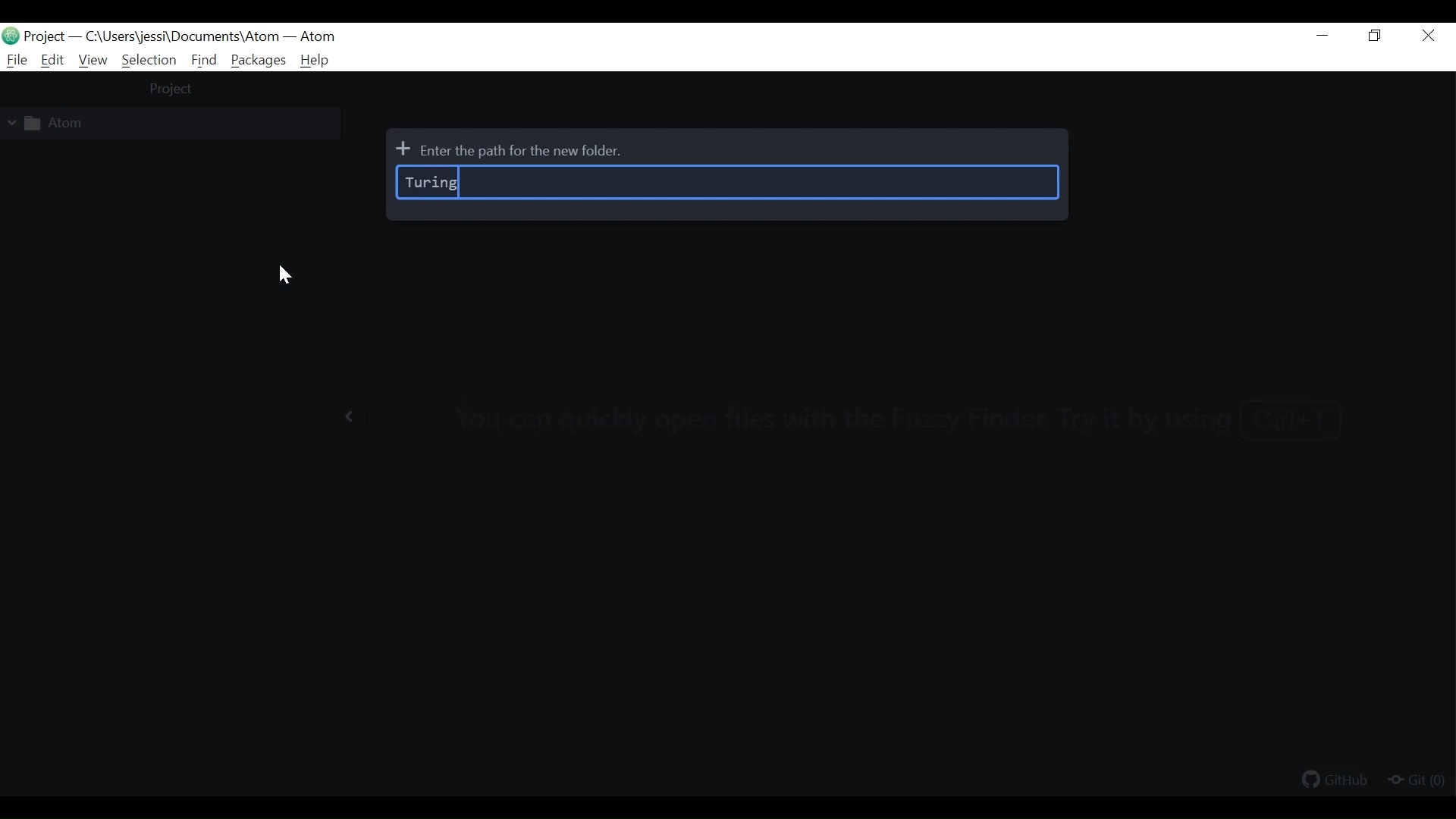  Describe the element at coordinates (205, 60) in the screenshot. I see `Find` at that location.